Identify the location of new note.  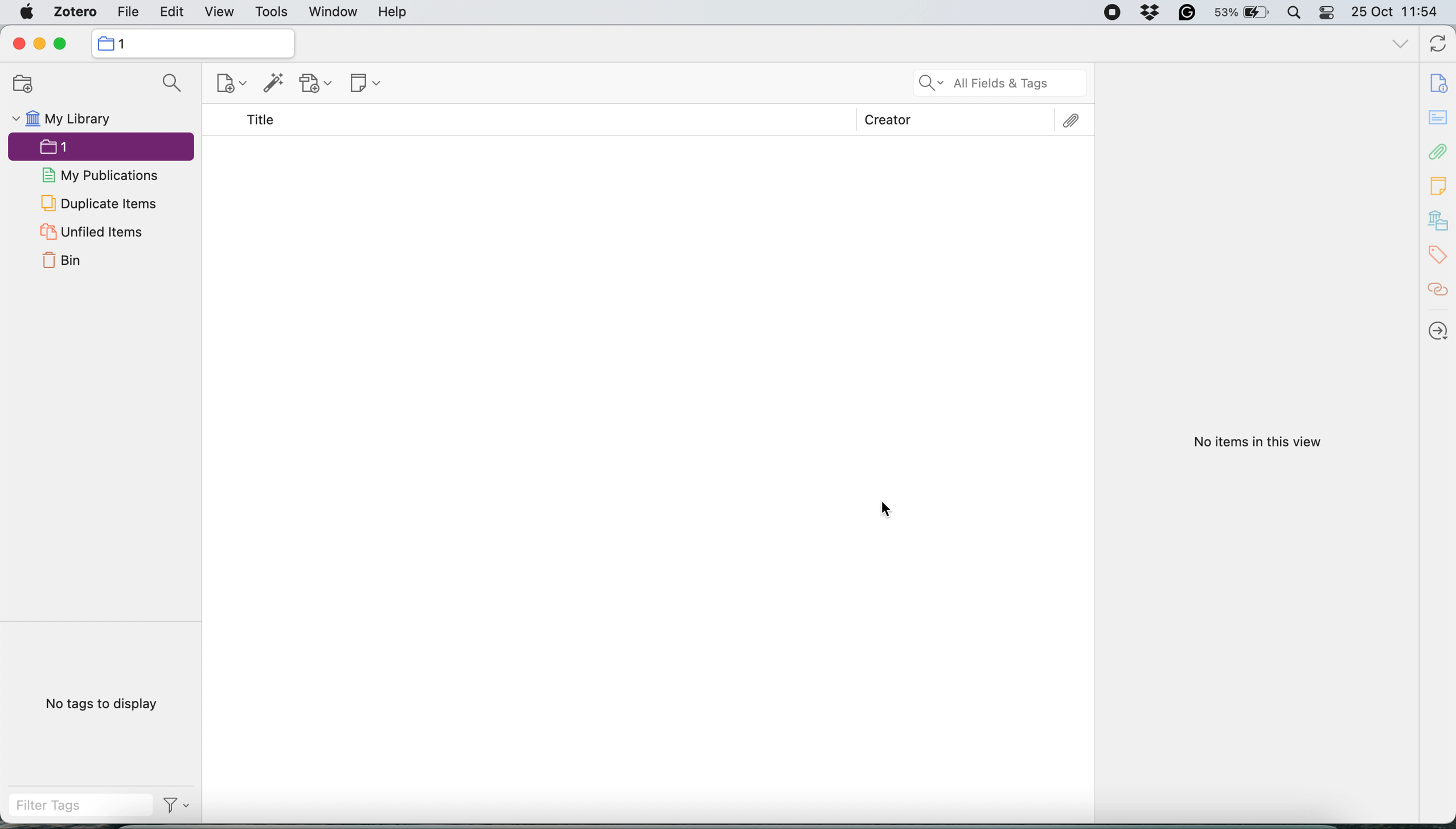
(364, 84).